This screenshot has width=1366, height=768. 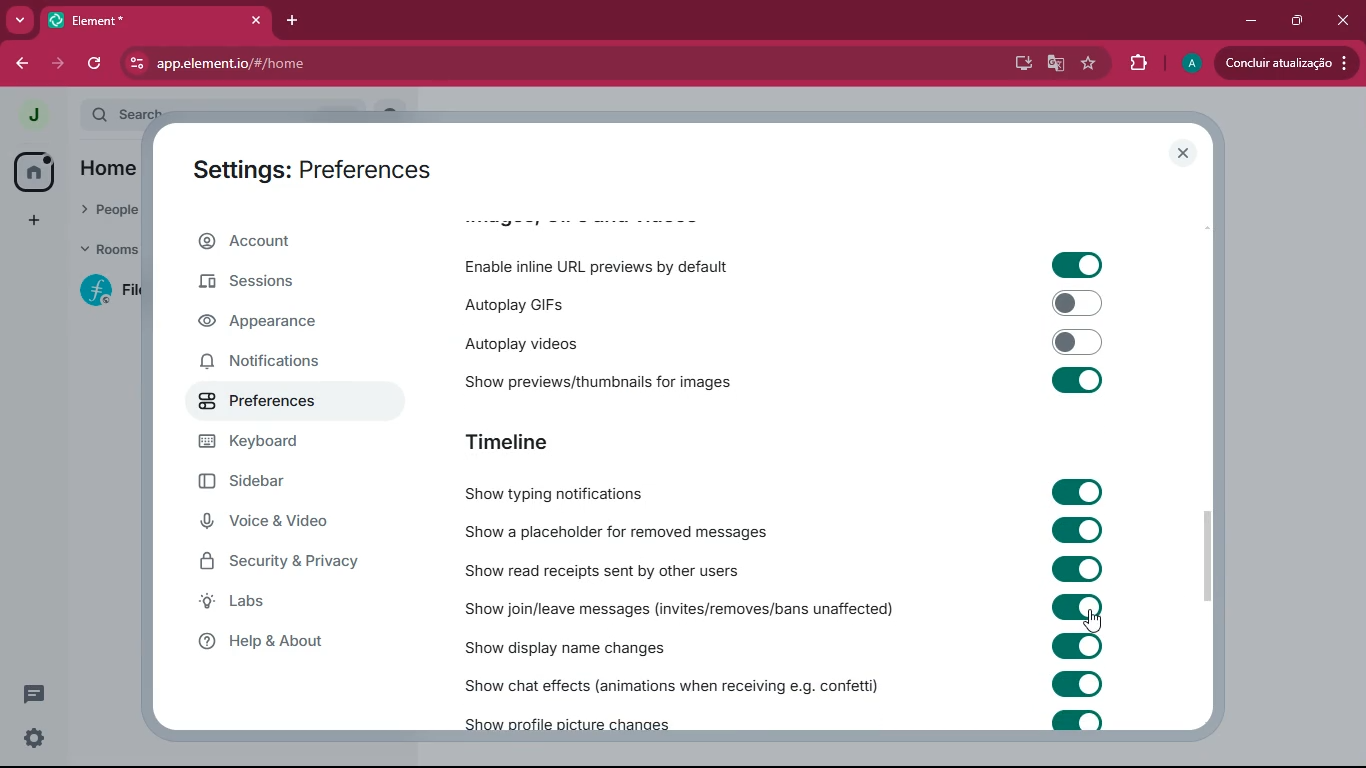 What do you see at coordinates (1138, 64) in the screenshot?
I see `extensions` at bounding box center [1138, 64].